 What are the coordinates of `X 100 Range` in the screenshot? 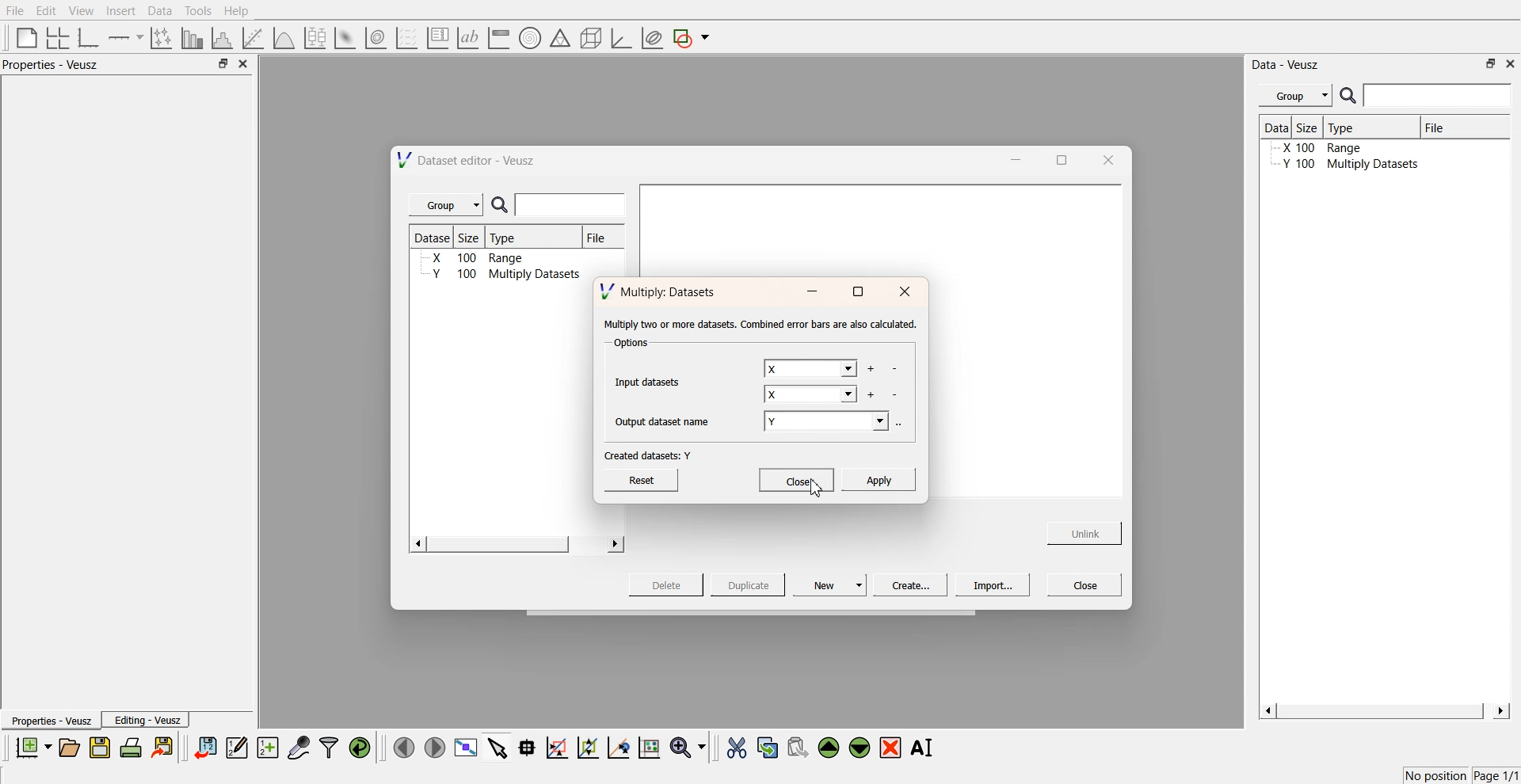 It's located at (478, 257).